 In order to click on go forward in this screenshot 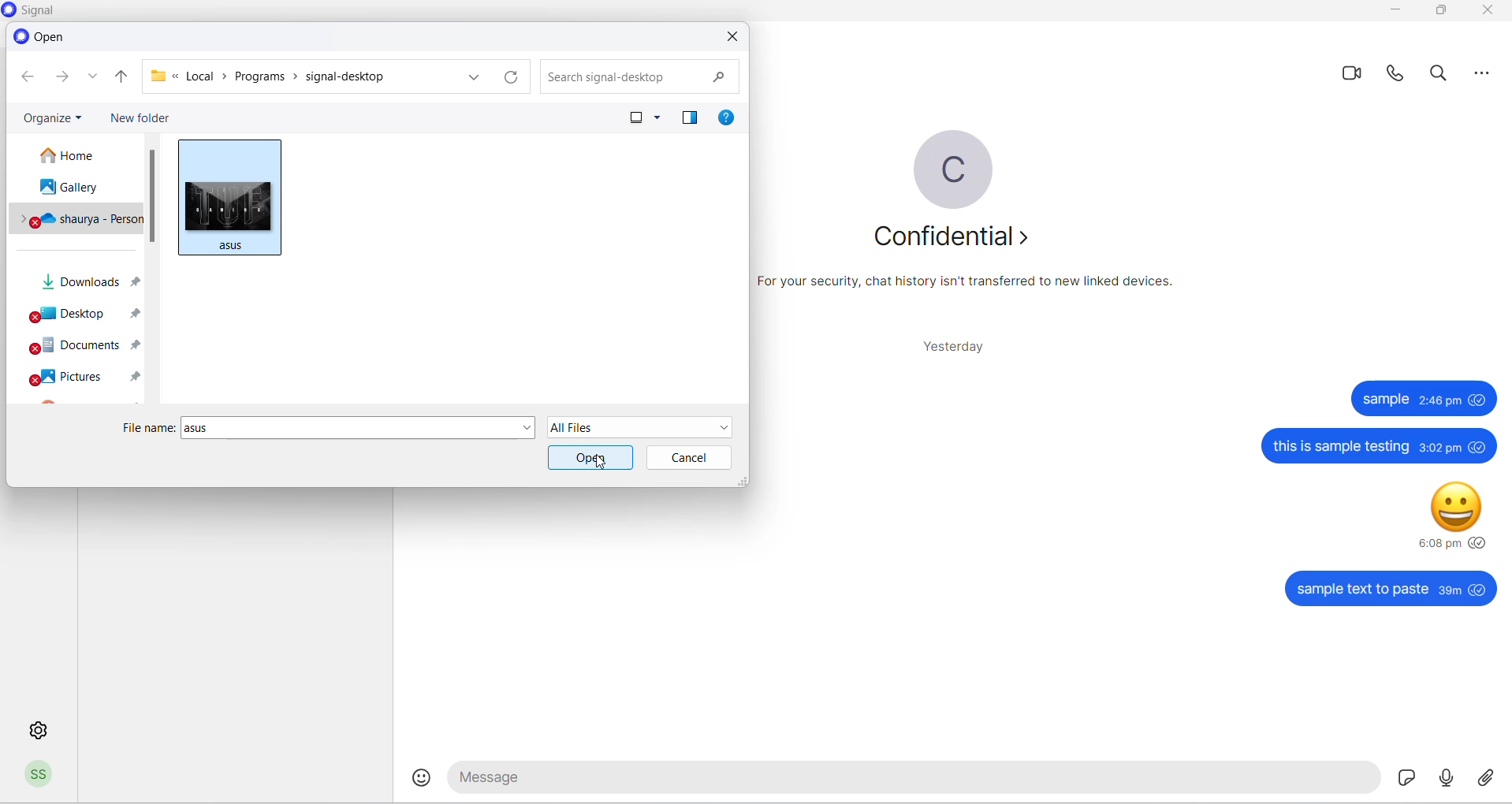, I will do `click(61, 80)`.